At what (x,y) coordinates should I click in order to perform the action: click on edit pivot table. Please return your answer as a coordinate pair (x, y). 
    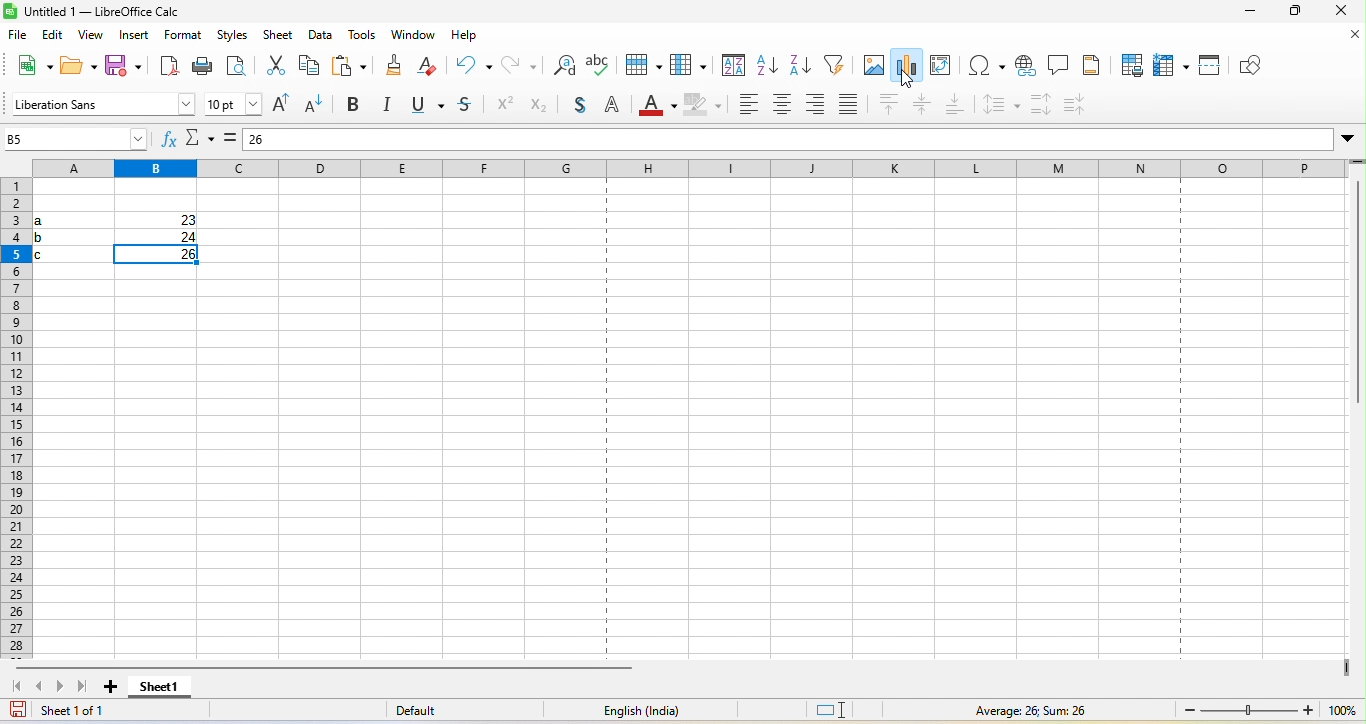
    Looking at the image, I should click on (941, 65).